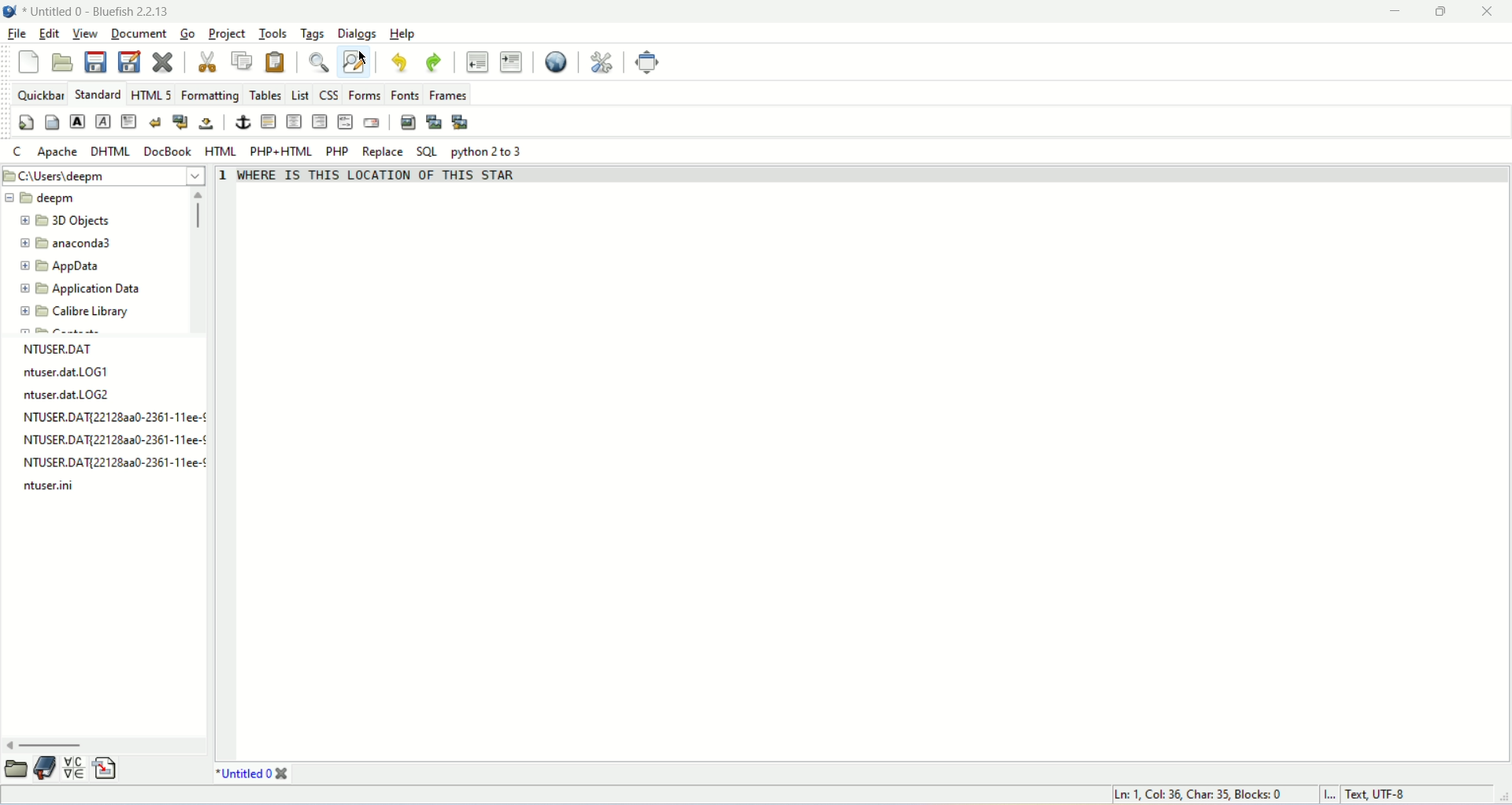 Image resolution: width=1512 pixels, height=805 pixels. What do you see at coordinates (130, 61) in the screenshot?
I see `save as` at bounding box center [130, 61].